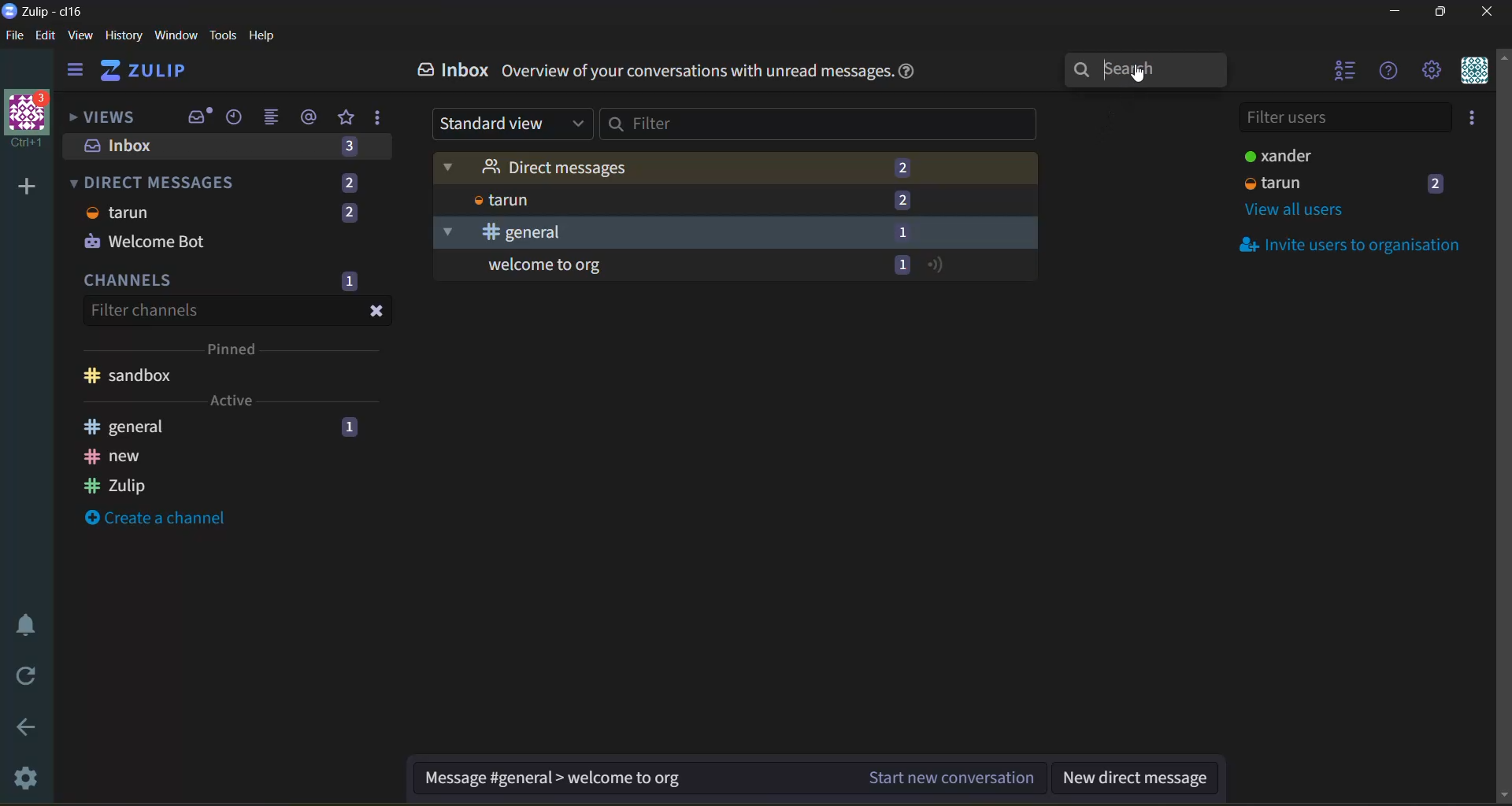 This screenshot has width=1512, height=806. What do you see at coordinates (349, 183) in the screenshot?
I see `2` at bounding box center [349, 183].